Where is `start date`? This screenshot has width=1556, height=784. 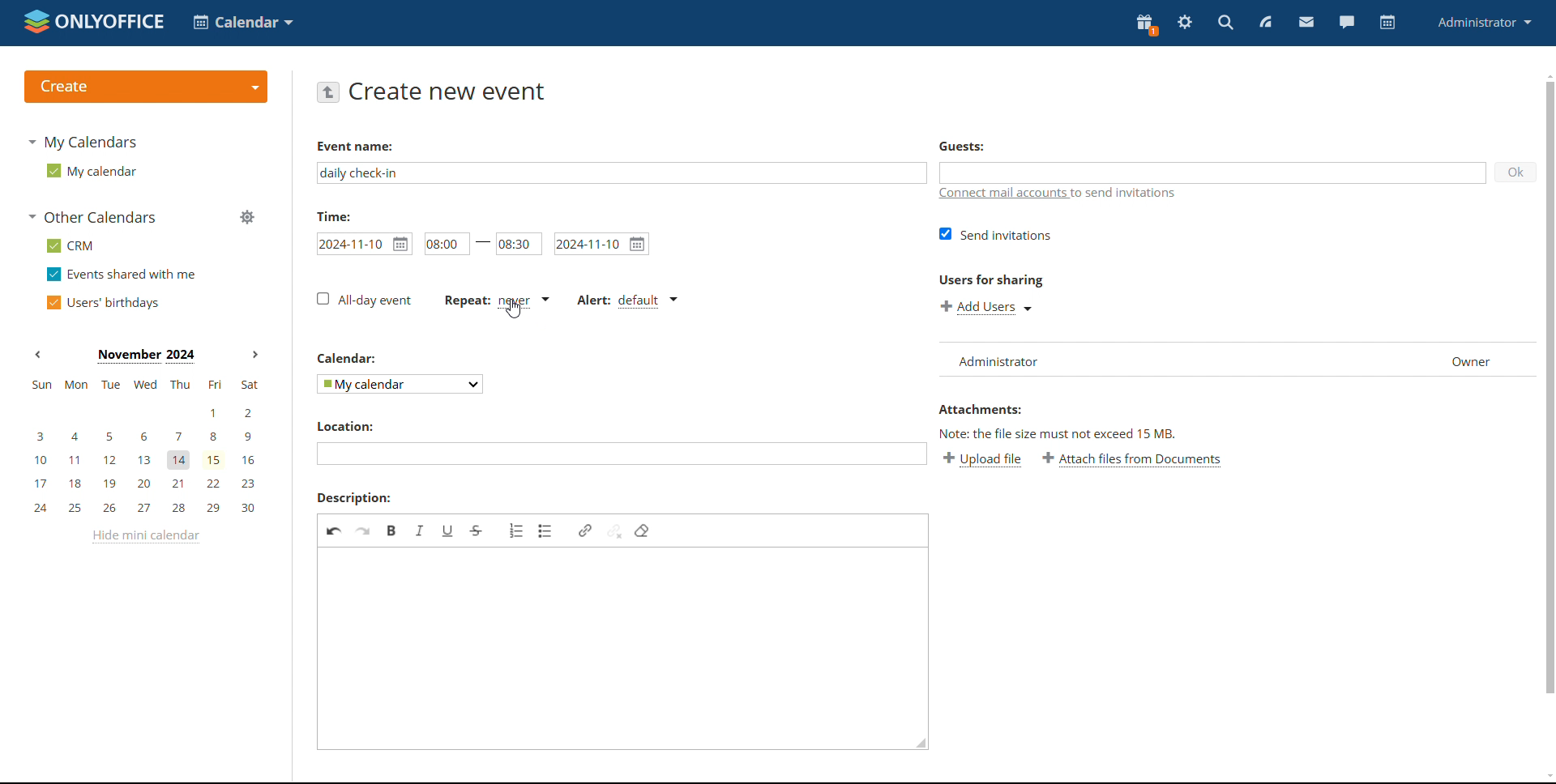
start date is located at coordinates (364, 242).